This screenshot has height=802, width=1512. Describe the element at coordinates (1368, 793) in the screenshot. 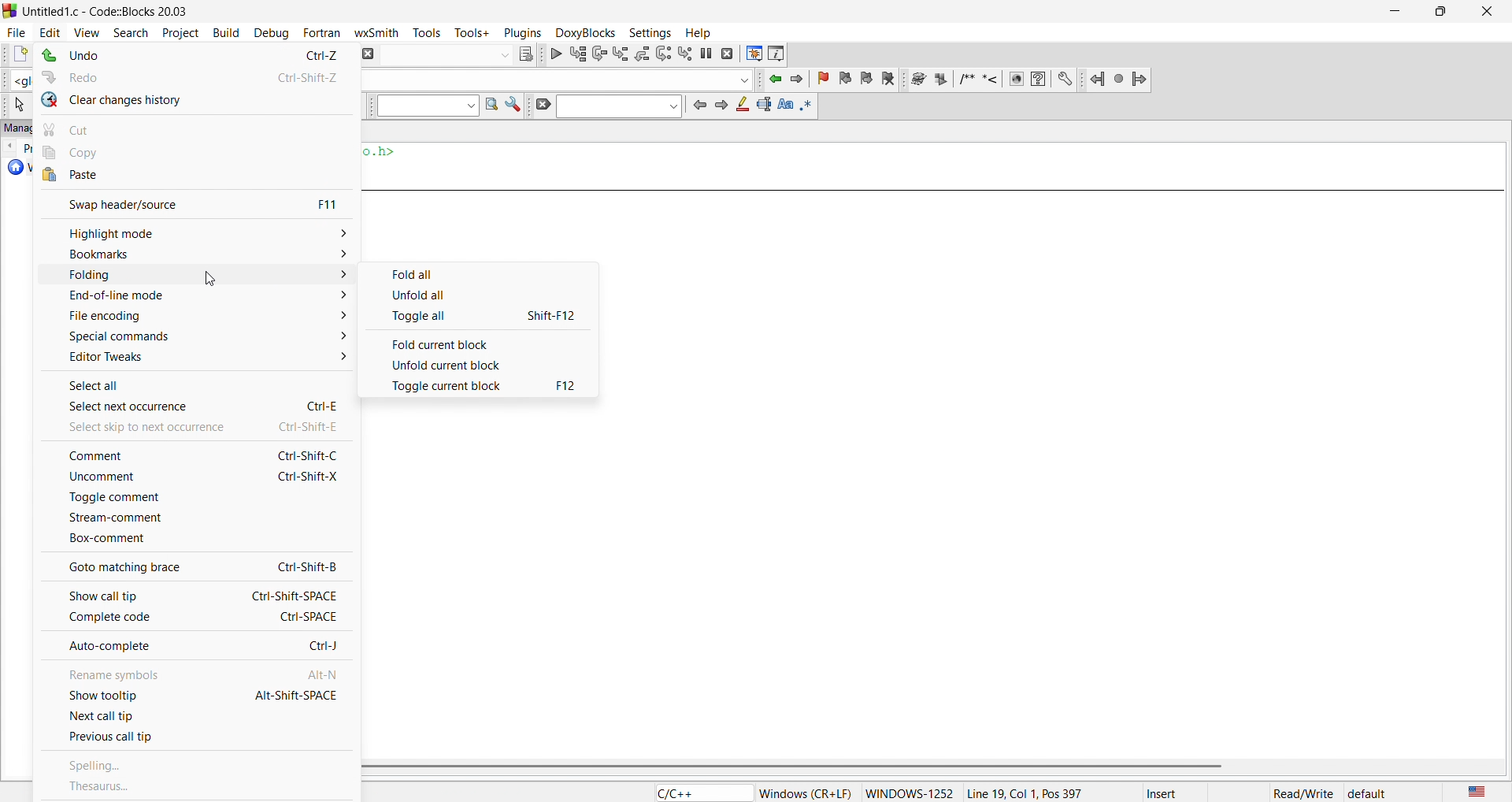

I see `default` at that location.